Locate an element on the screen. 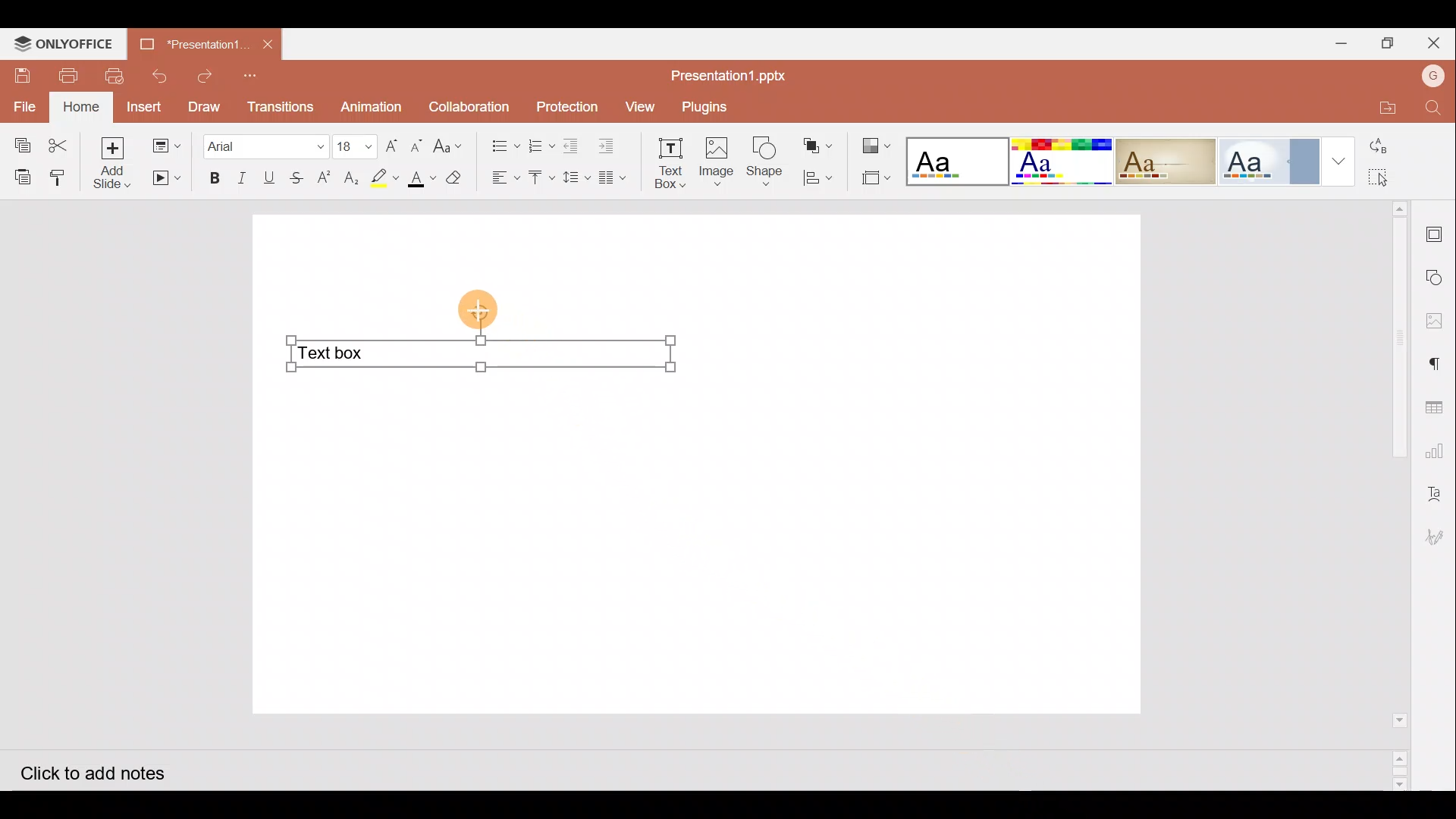 The image size is (1456, 819). Superscript is located at coordinates (328, 179).